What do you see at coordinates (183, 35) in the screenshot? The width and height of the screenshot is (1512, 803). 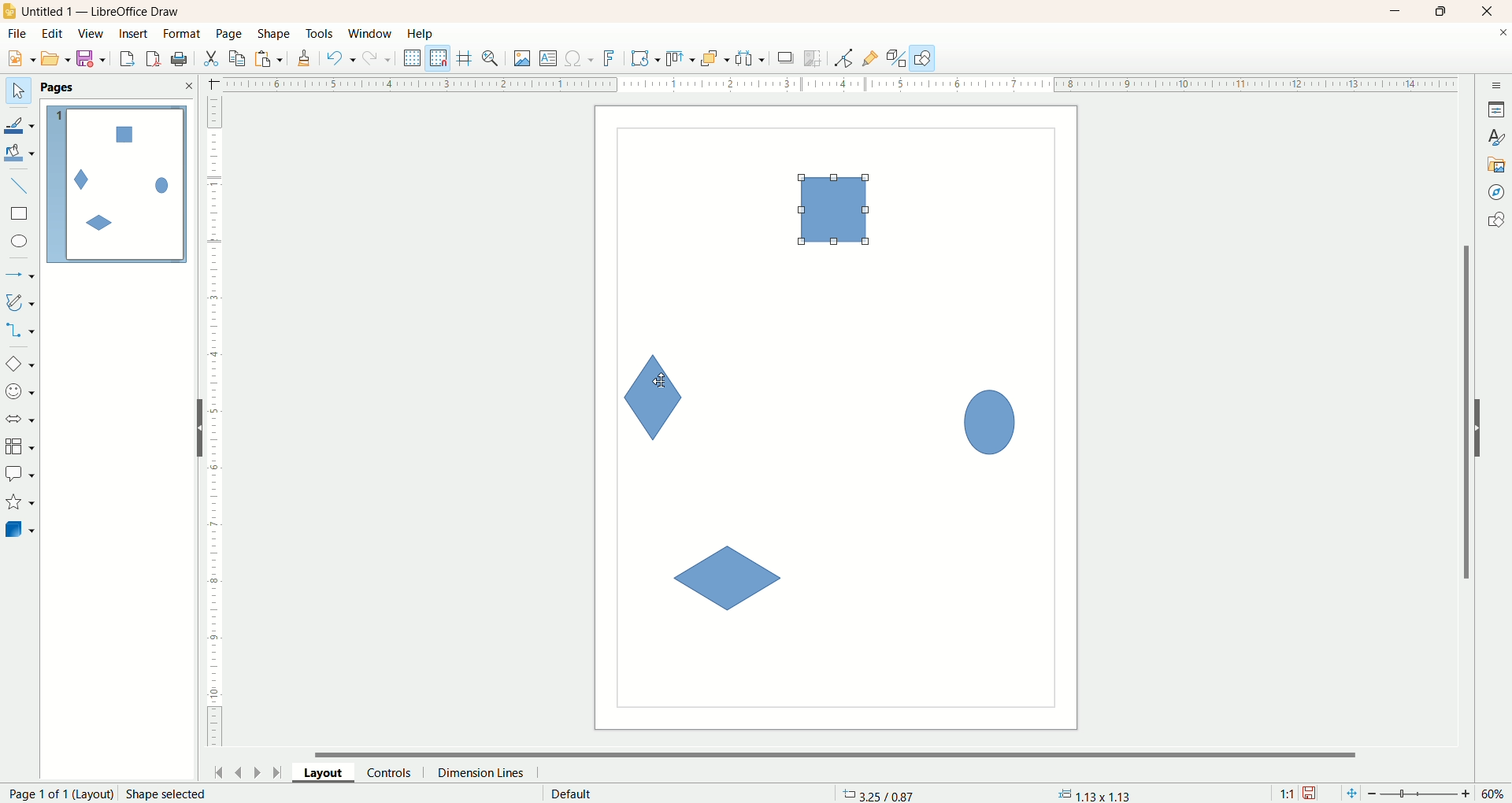 I see `format` at bounding box center [183, 35].